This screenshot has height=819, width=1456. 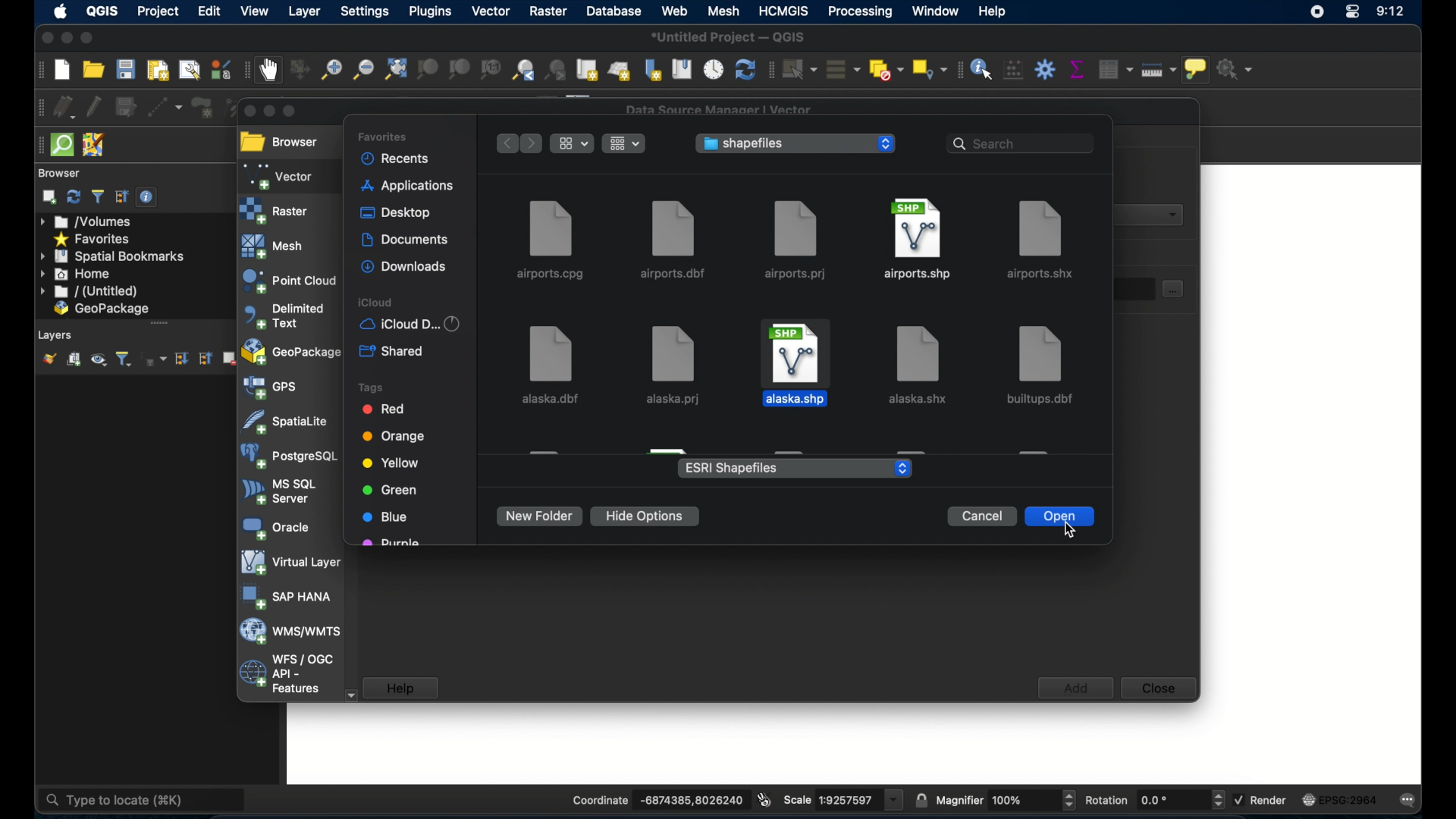 I want to click on new paint layout, so click(x=158, y=69).